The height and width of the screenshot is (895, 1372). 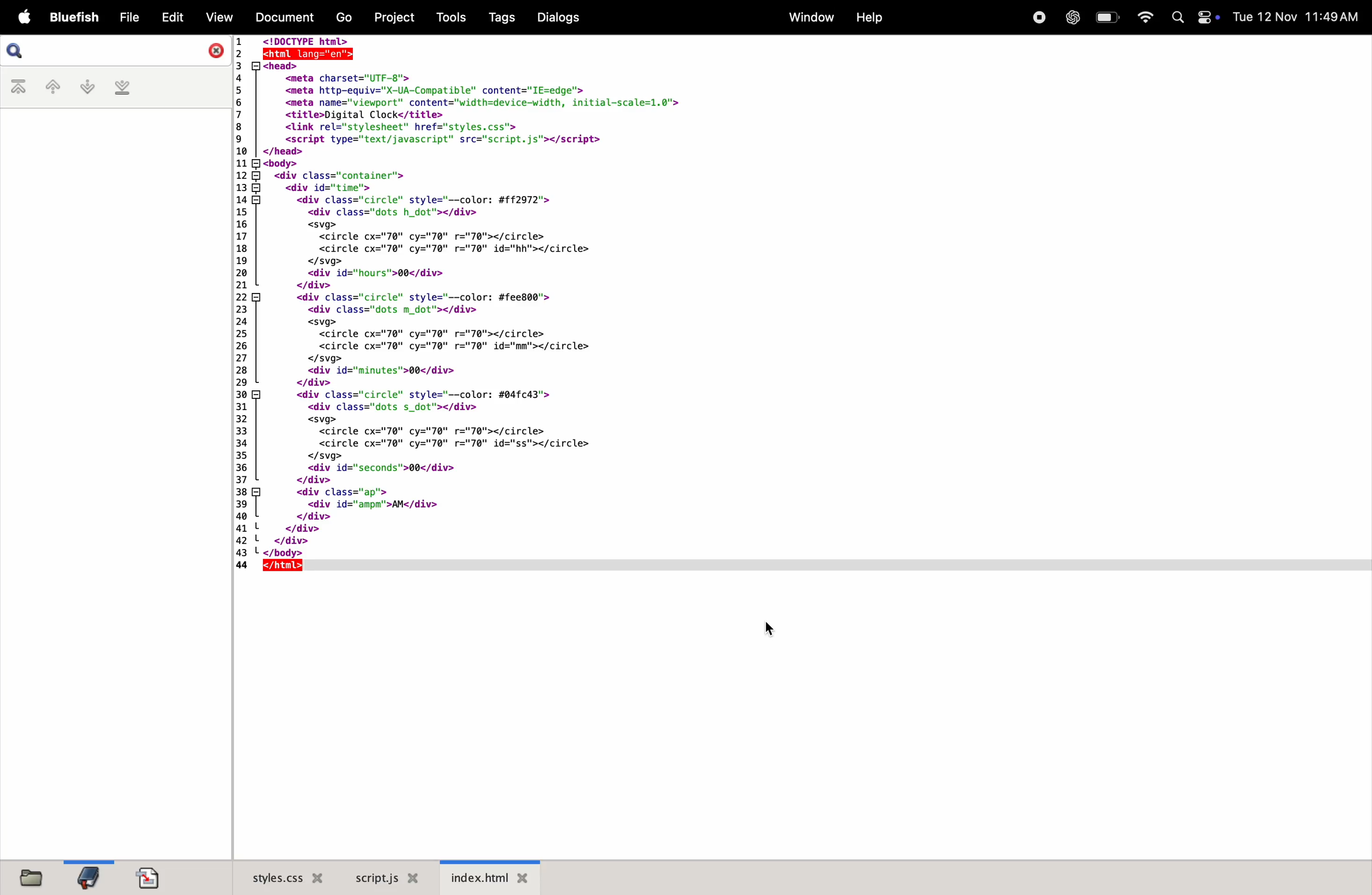 What do you see at coordinates (1069, 17) in the screenshot?
I see `chatgpt` at bounding box center [1069, 17].